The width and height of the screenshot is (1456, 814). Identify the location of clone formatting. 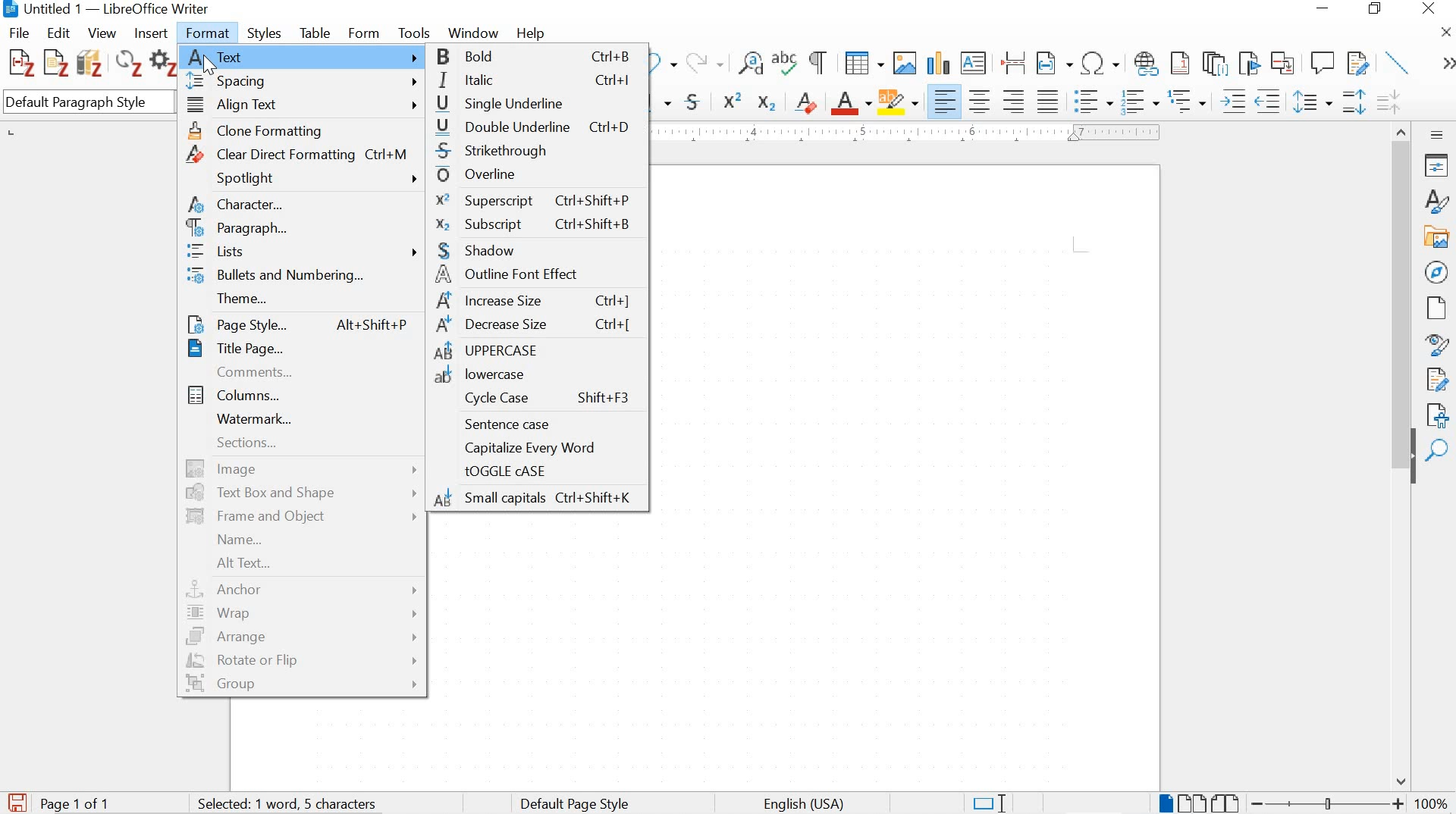
(304, 130).